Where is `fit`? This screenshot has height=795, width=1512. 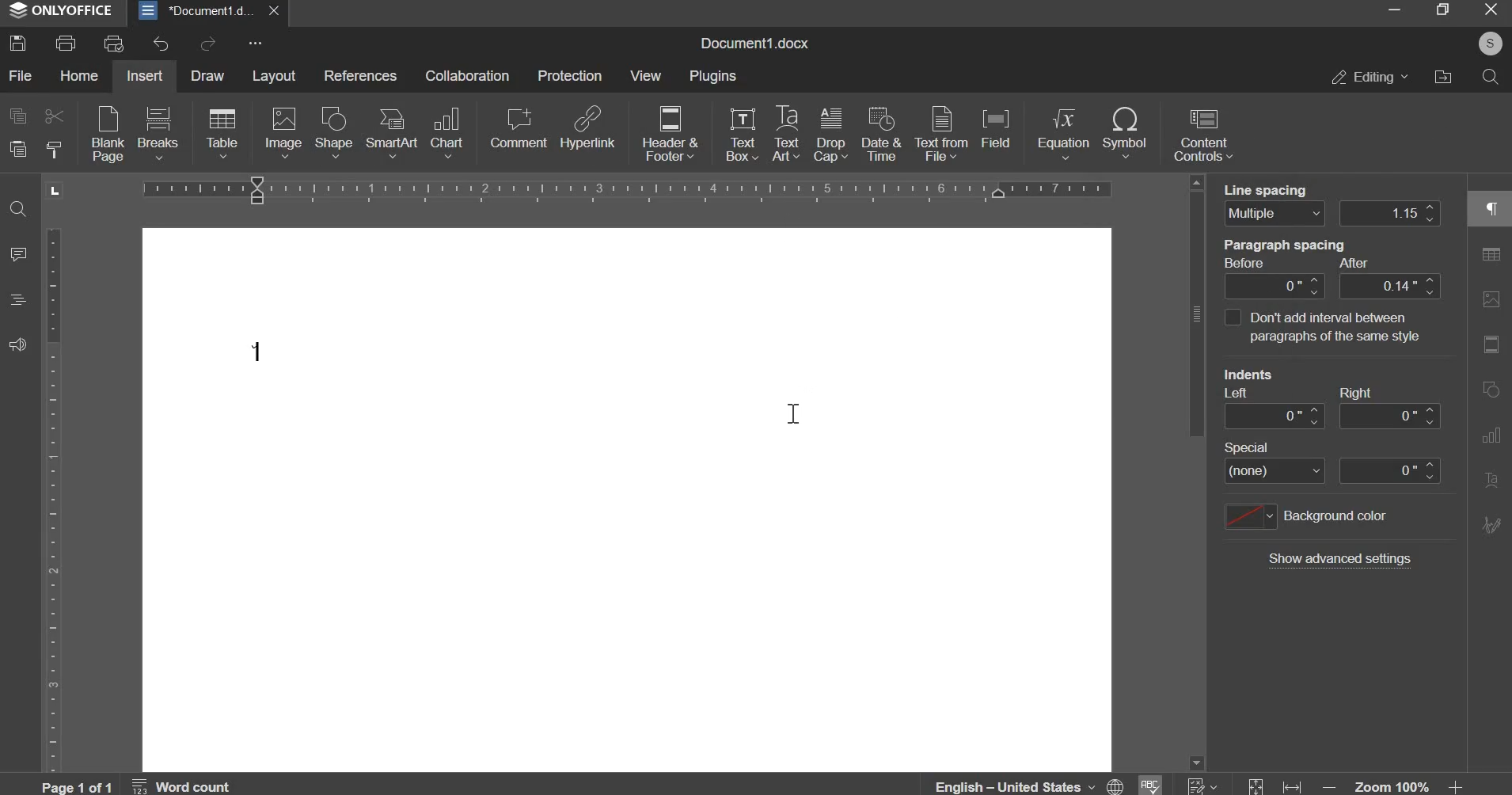
fit is located at coordinates (1272, 785).